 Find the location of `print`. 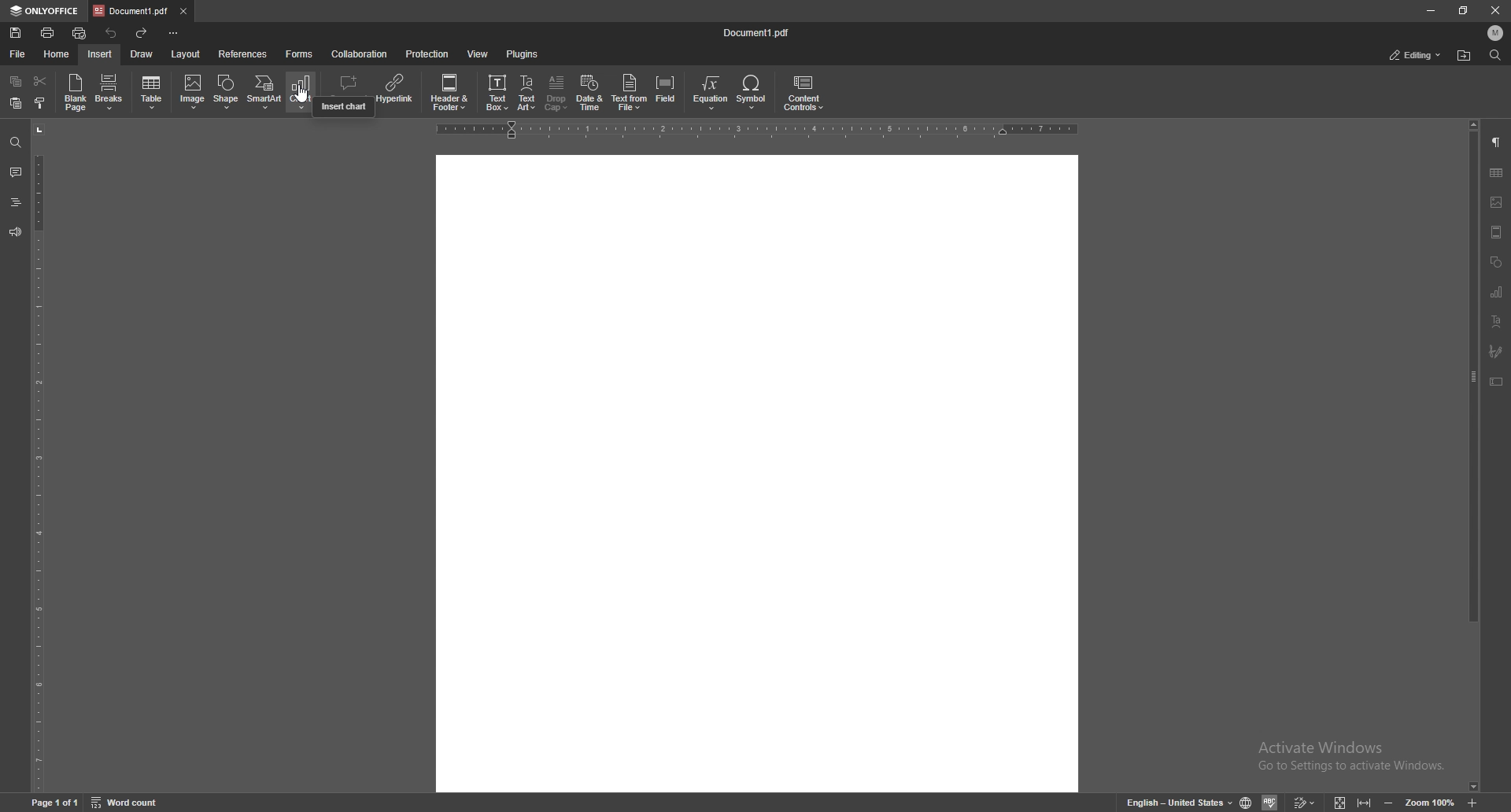

print is located at coordinates (49, 33).